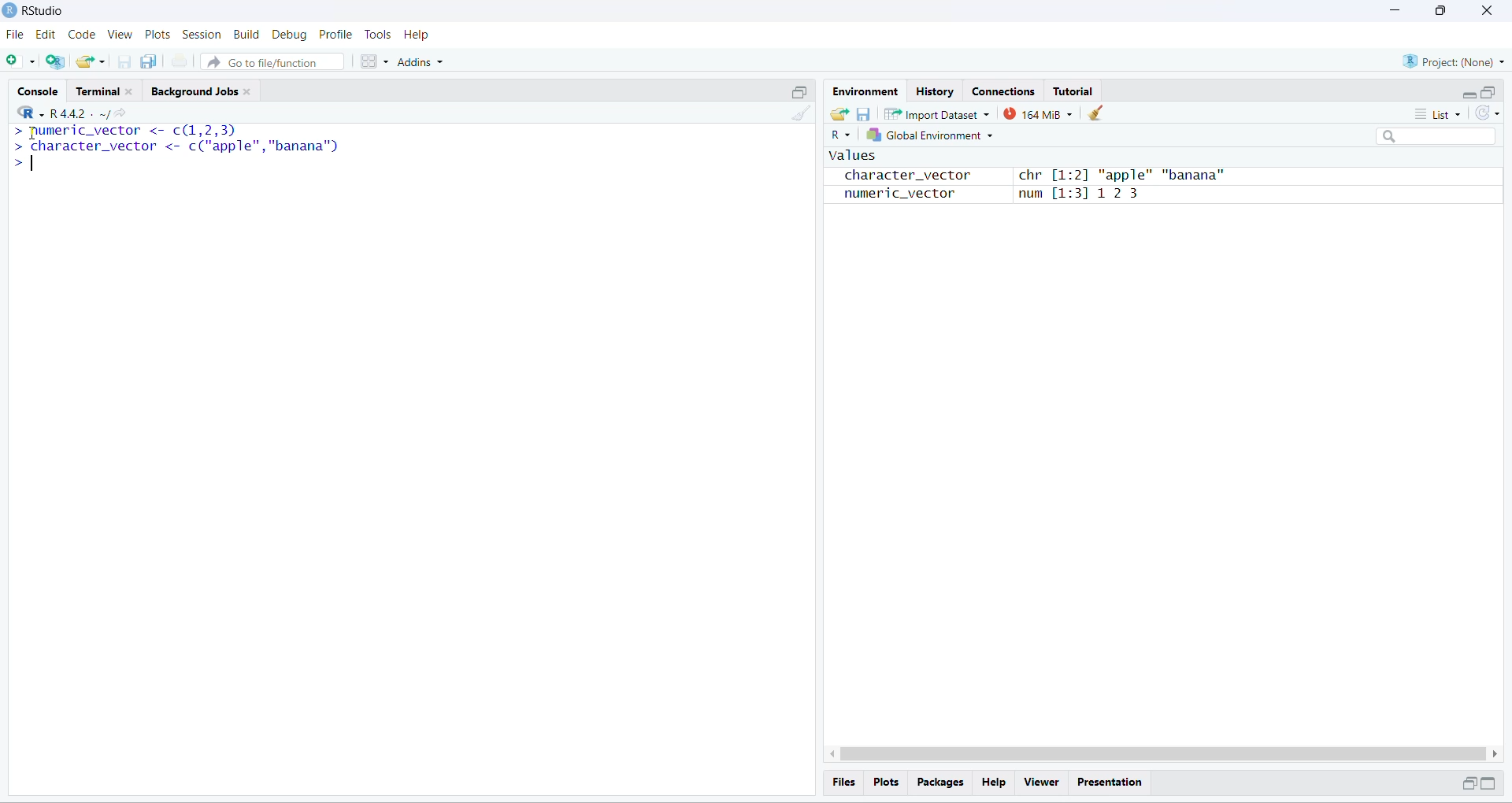 This screenshot has height=803, width=1512. Describe the element at coordinates (1443, 113) in the screenshot. I see `list` at that location.